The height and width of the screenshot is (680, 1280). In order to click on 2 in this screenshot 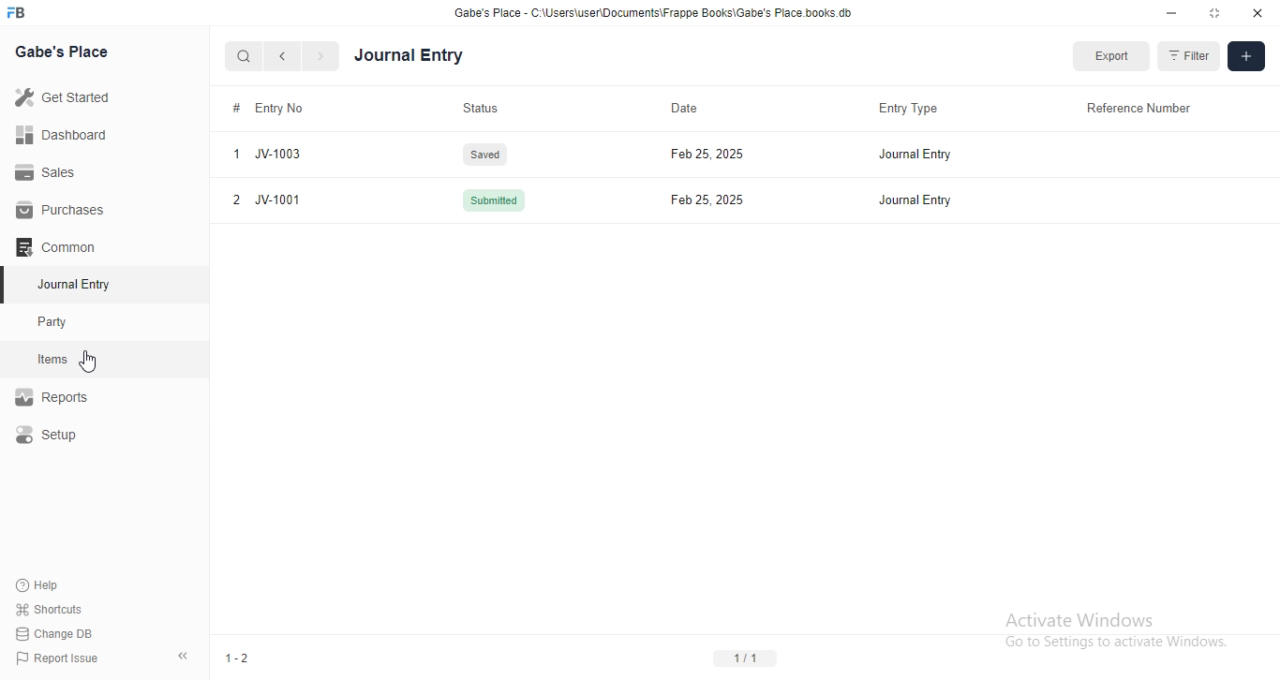, I will do `click(236, 199)`.